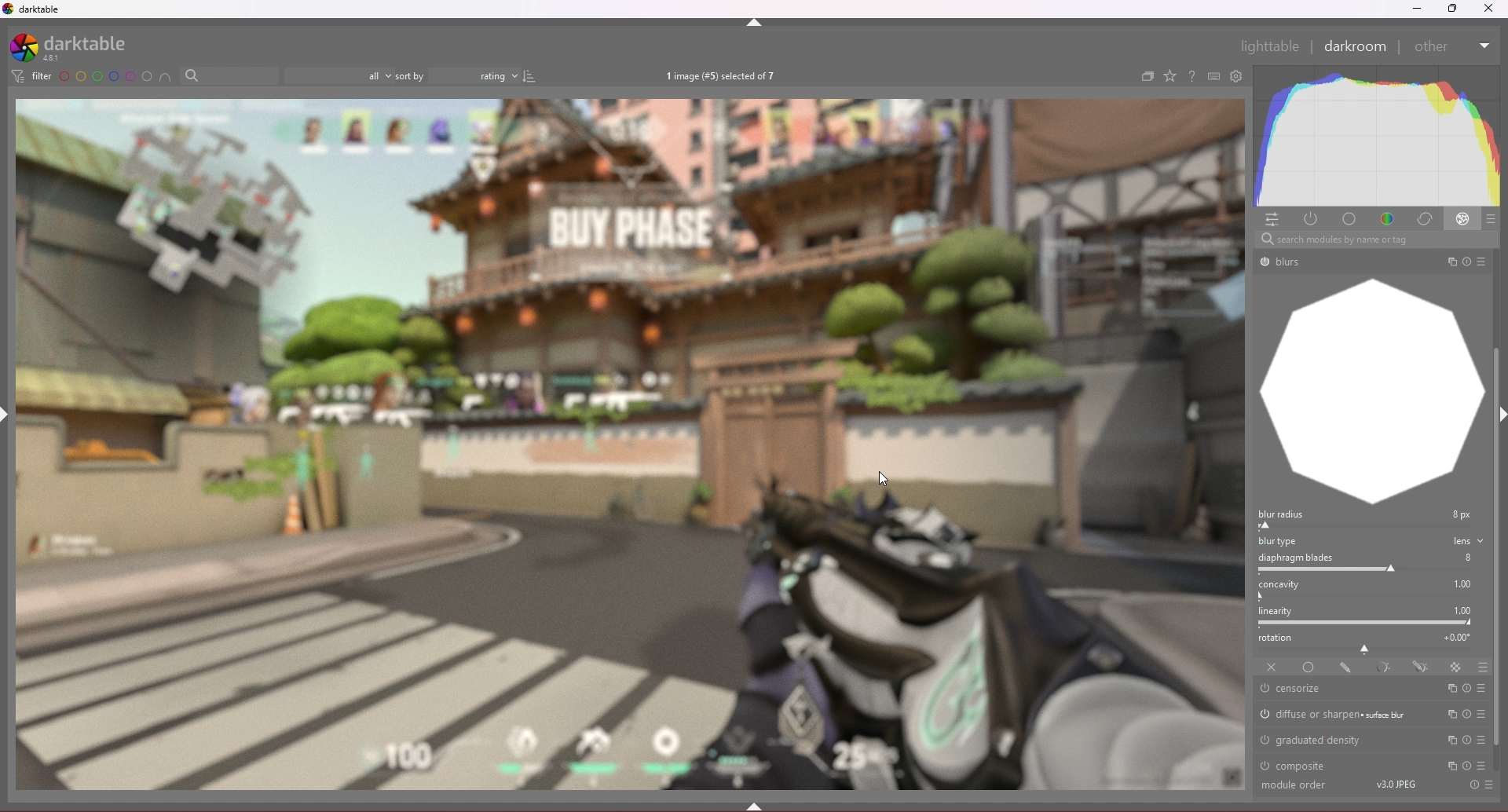  Describe the element at coordinates (1311, 219) in the screenshot. I see `active modules` at that location.